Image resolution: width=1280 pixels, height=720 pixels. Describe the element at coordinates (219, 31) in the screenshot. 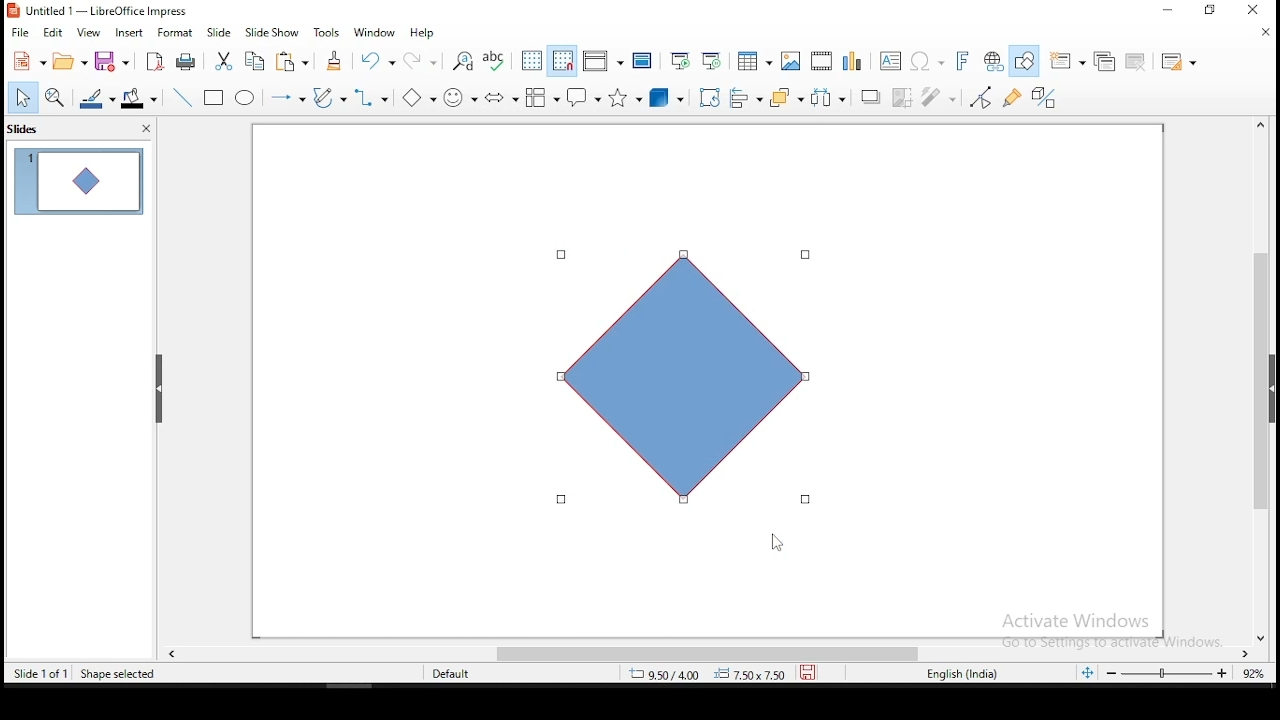

I see `slide` at that location.